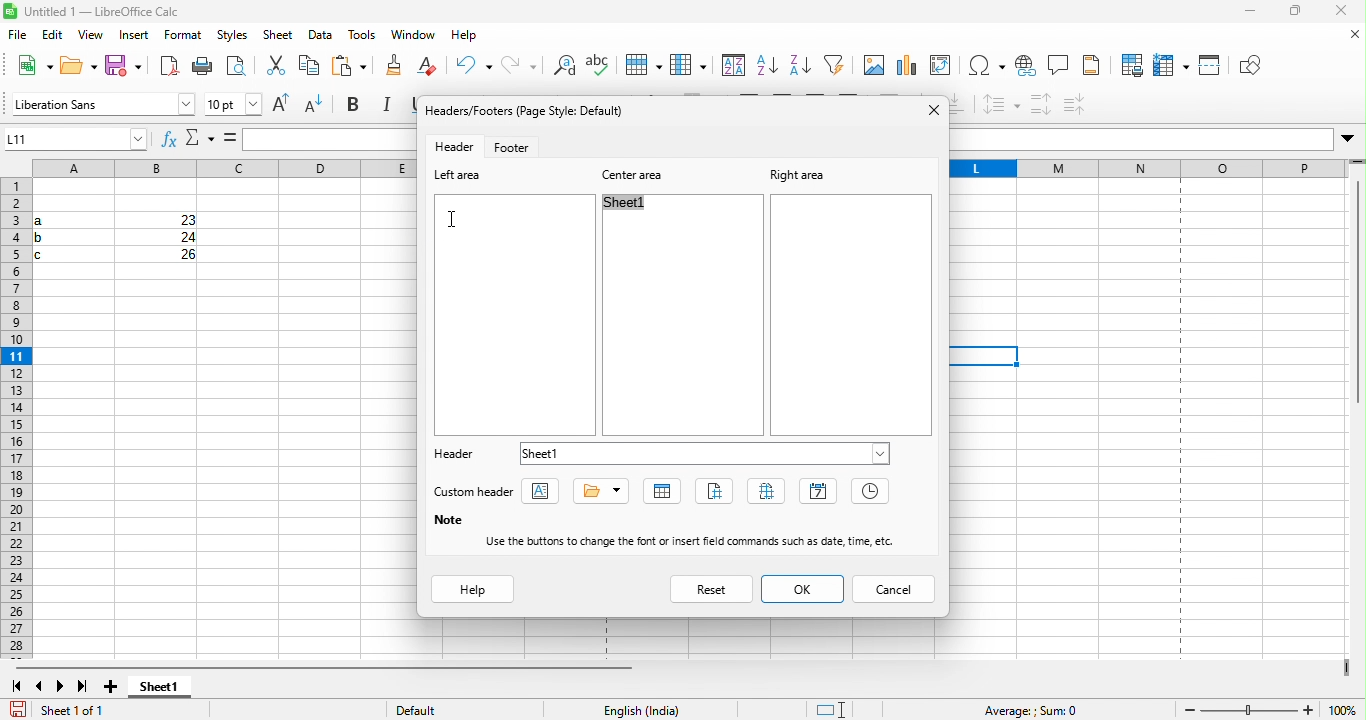 Image resolution: width=1366 pixels, height=720 pixels. What do you see at coordinates (547, 494) in the screenshot?
I see `text attribute` at bounding box center [547, 494].